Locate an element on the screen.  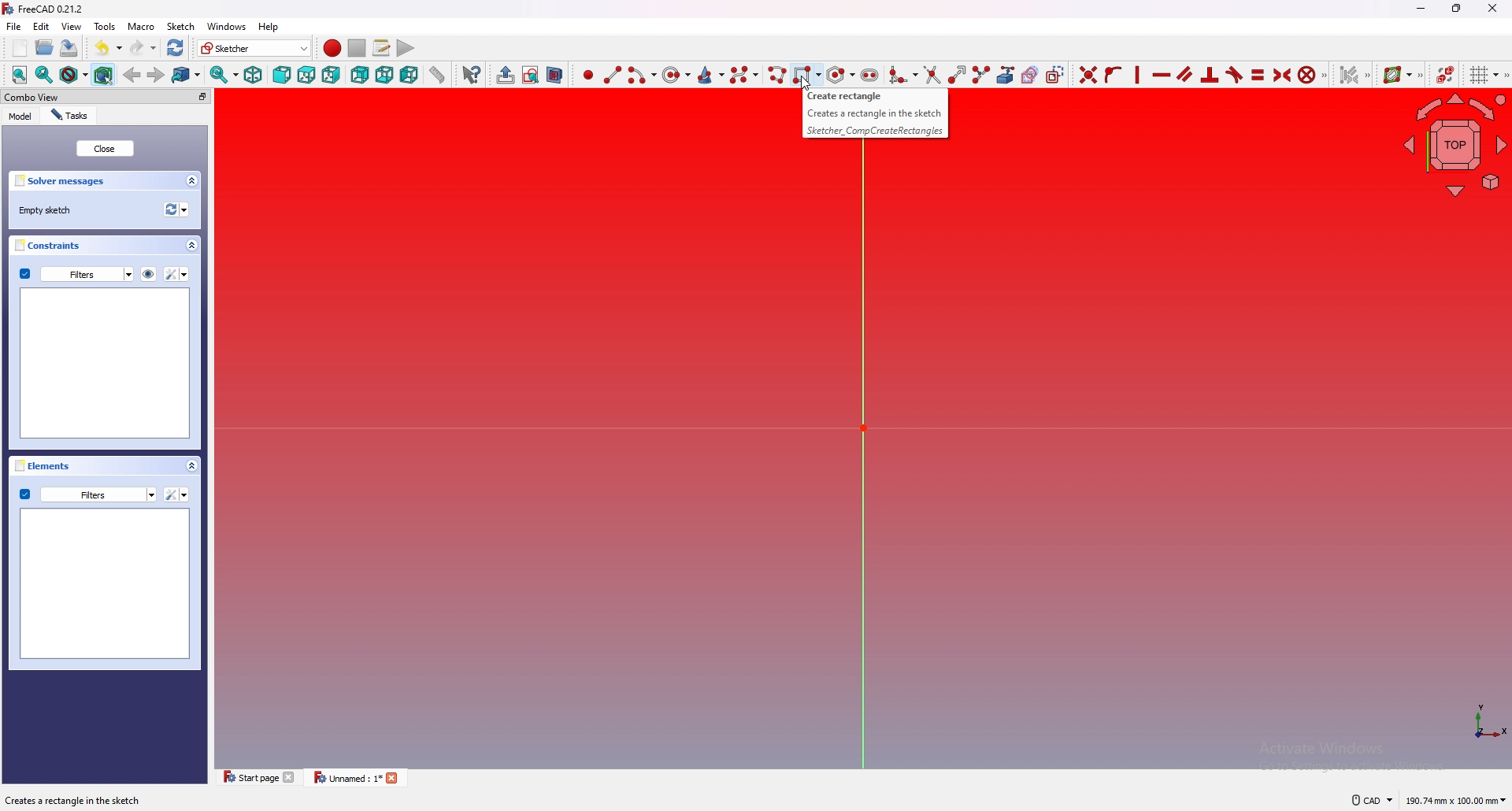
close is located at coordinates (106, 148).